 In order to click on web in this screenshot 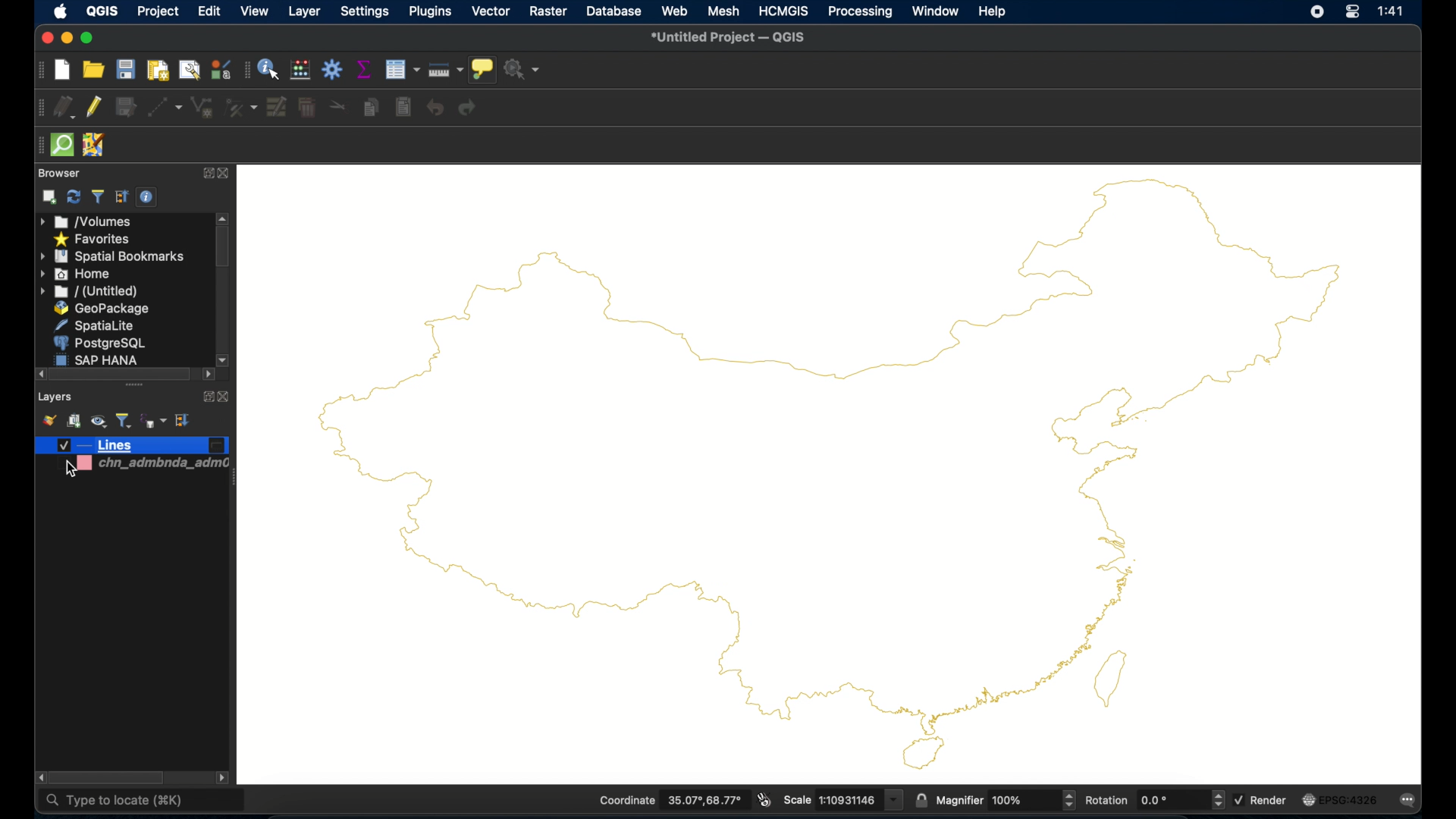, I will do `click(674, 11)`.